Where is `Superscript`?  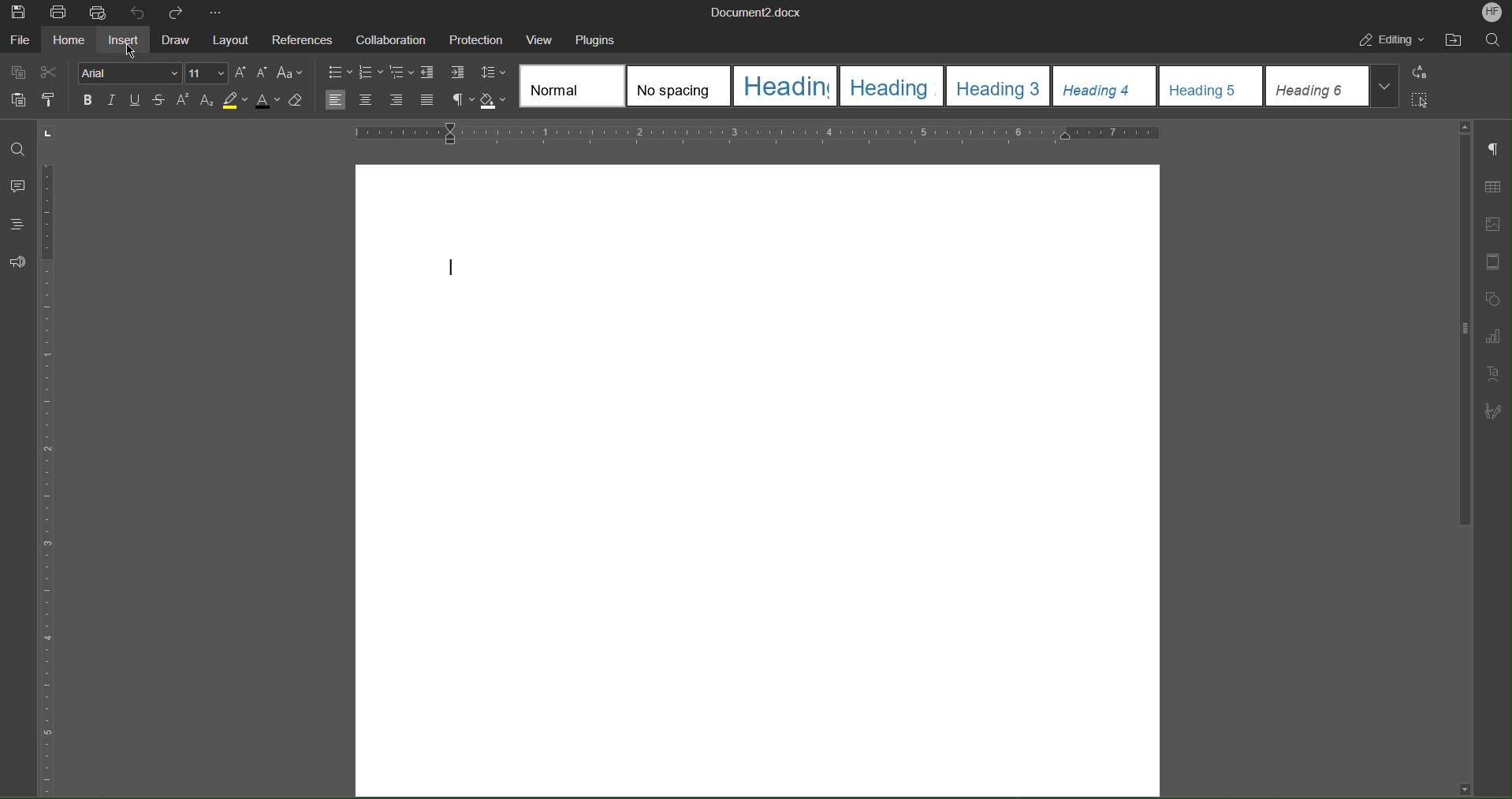 Superscript is located at coordinates (184, 102).